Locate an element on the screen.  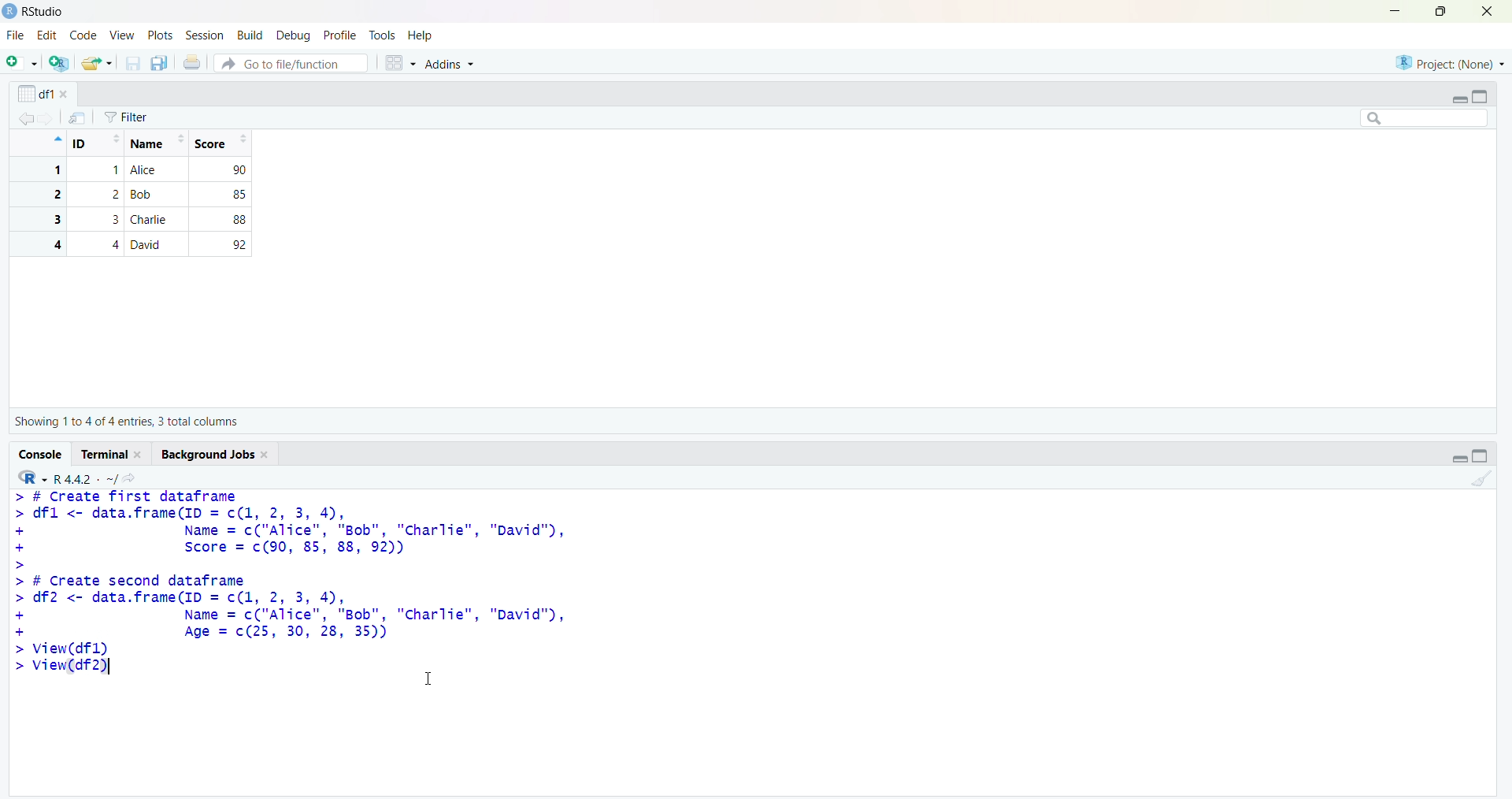
> # Create first dataframe> dfl <- data.frame(ID = c(1, 2, 3, 4),+ Name = c("Alice", "Bob", "charlie", "David"),+ Score = c(90, 85, 88, 92))>> # Create second dataframe> df2 <- data.frame(ID = c(1, 2, 3, 4),+ Name = c("Alice", "Bob", "Charlie", "David"),+ Age = c(25, 30, 28, 35))> View(dfl) > View(df2) is located at coordinates (291, 582).